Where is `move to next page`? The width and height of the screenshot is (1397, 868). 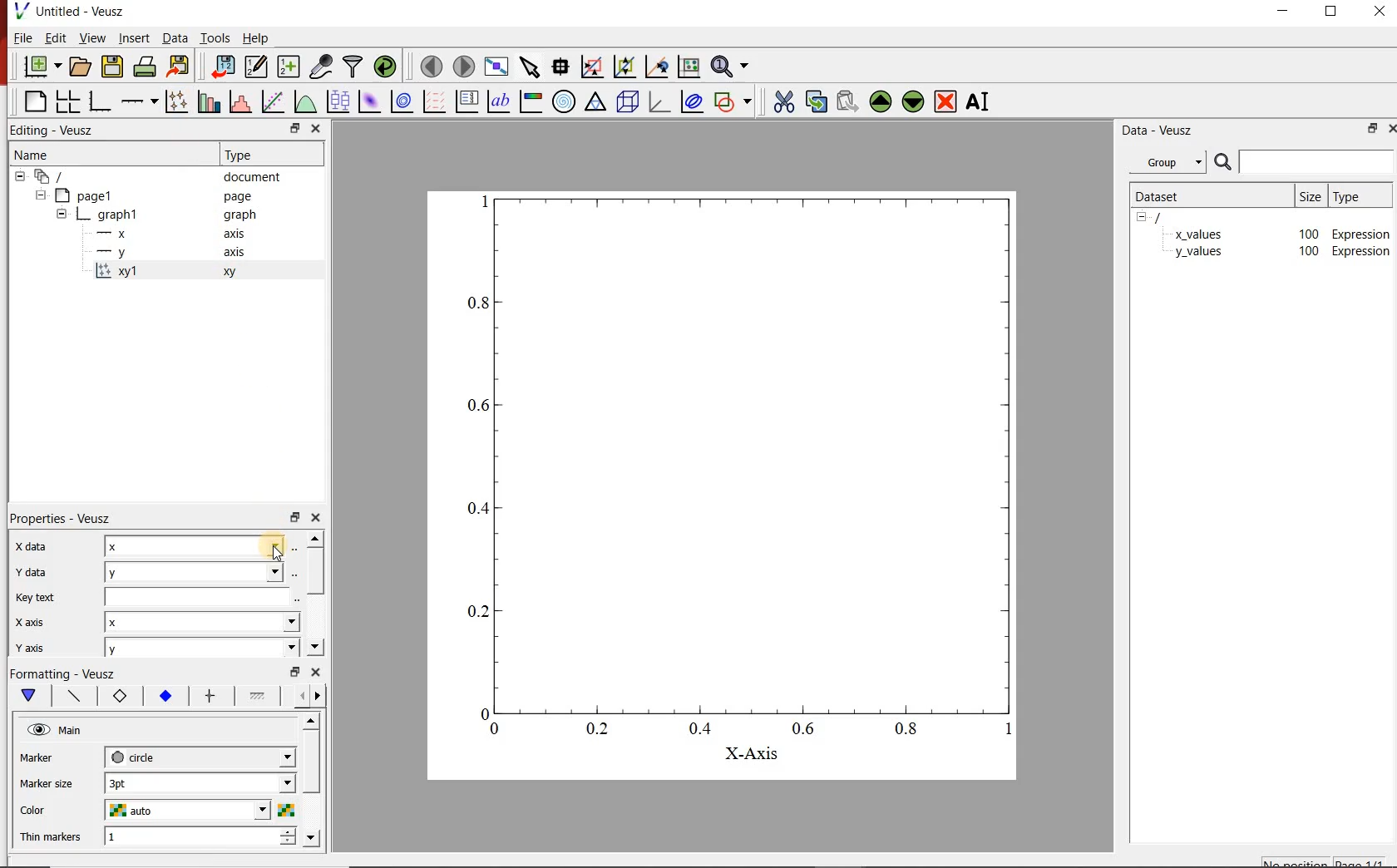
move to next page is located at coordinates (465, 67).